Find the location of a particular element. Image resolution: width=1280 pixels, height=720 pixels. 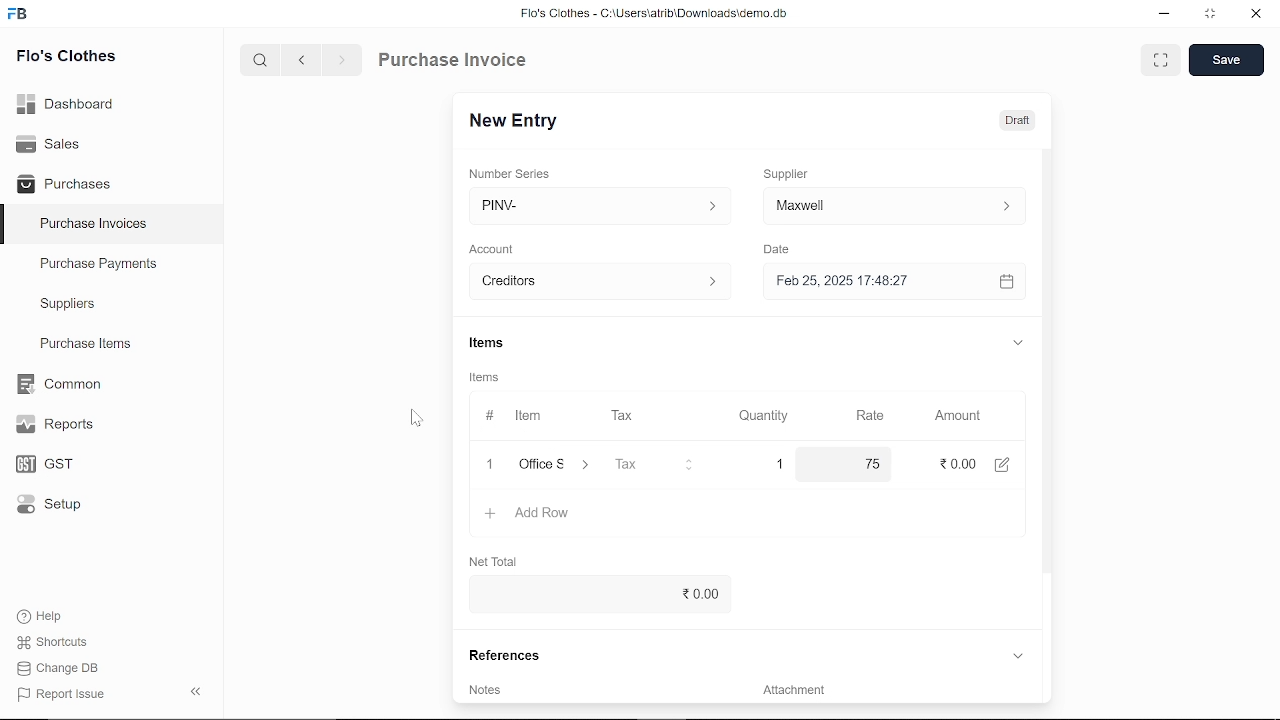

serach is located at coordinates (258, 61).